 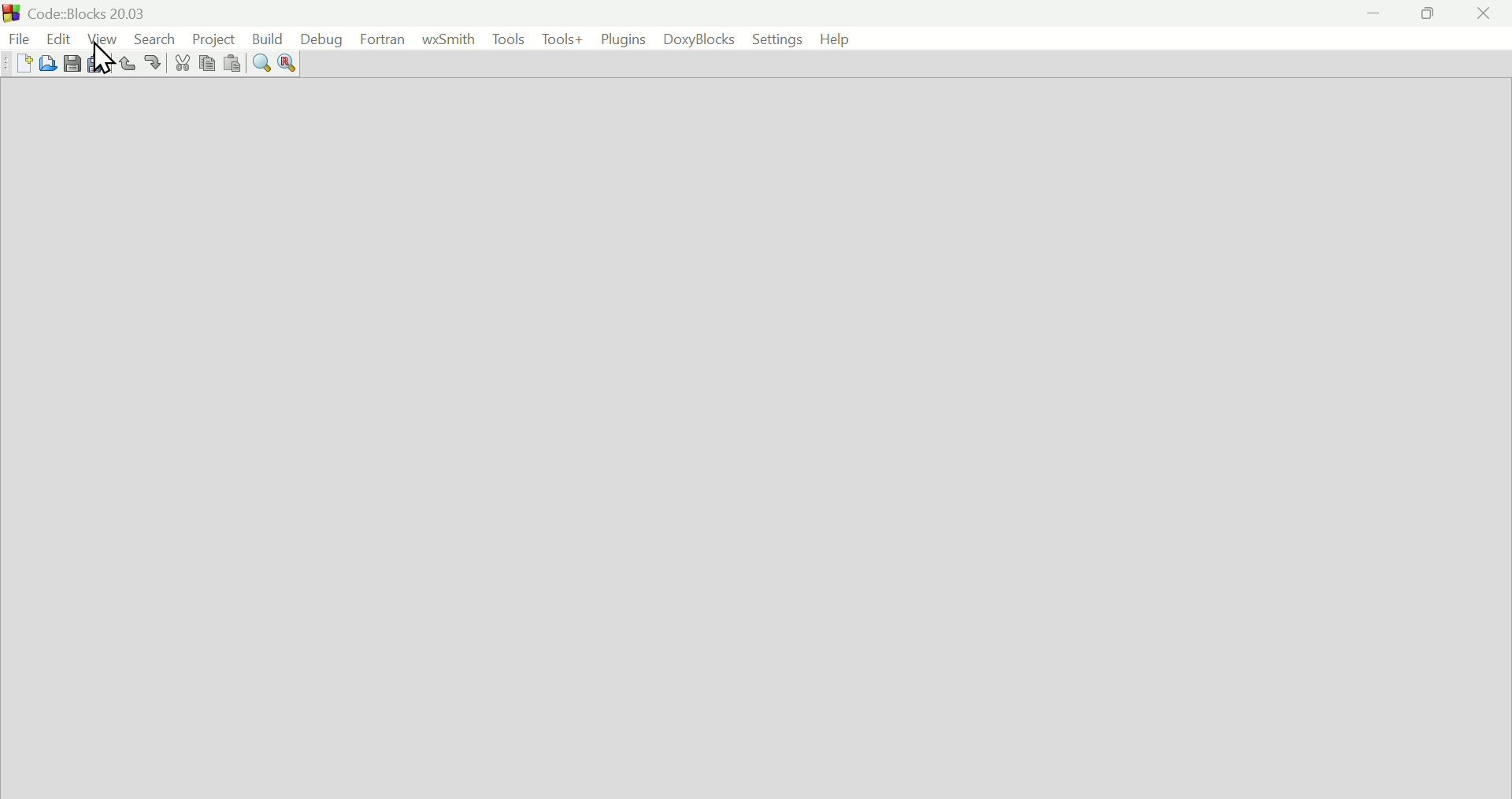 What do you see at coordinates (384, 39) in the screenshot?
I see `Fortran` at bounding box center [384, 39].